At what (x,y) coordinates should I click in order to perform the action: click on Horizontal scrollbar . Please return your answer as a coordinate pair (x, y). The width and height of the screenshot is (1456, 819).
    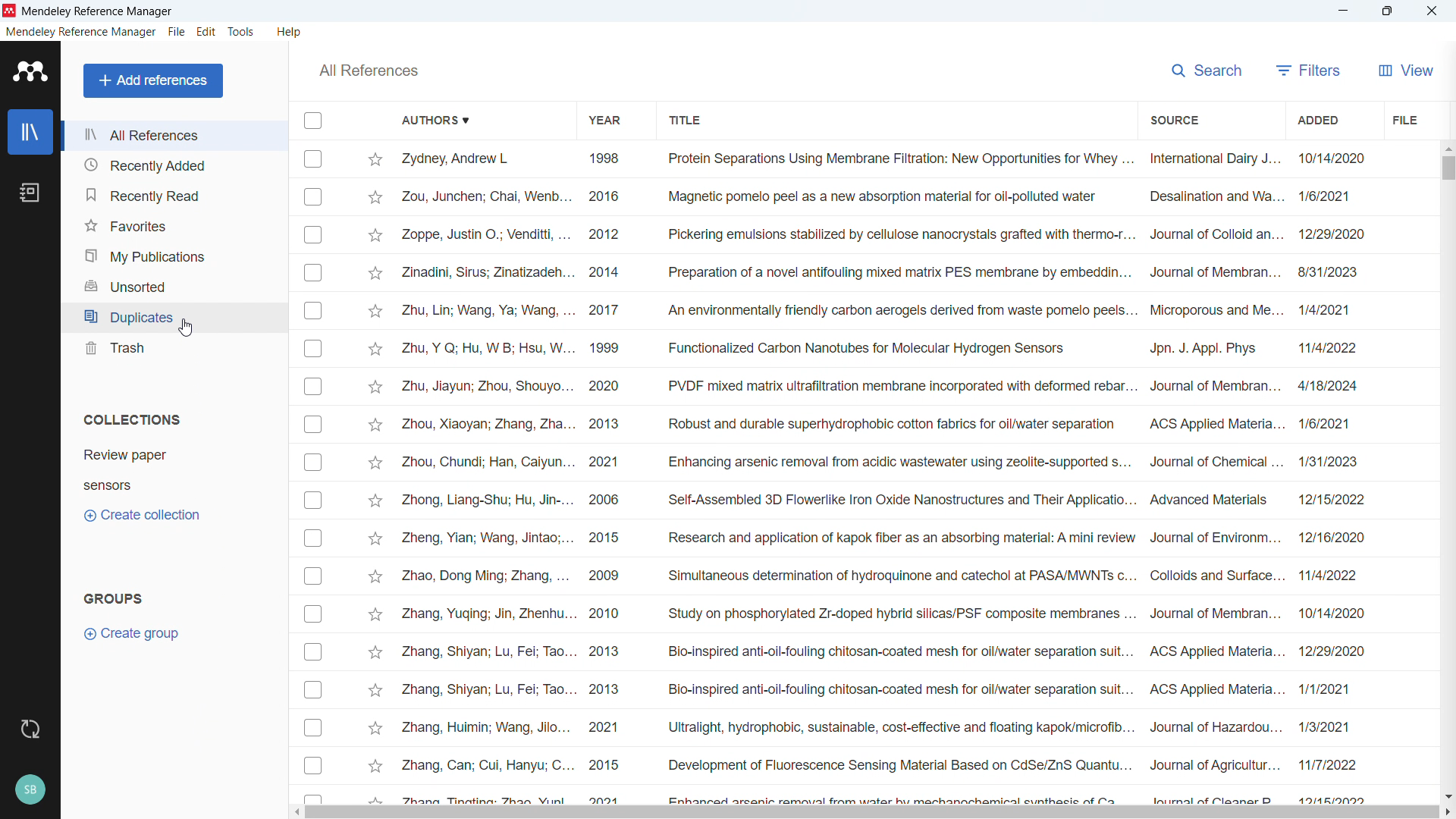
    Looking at the image, I should click on (871, 813).